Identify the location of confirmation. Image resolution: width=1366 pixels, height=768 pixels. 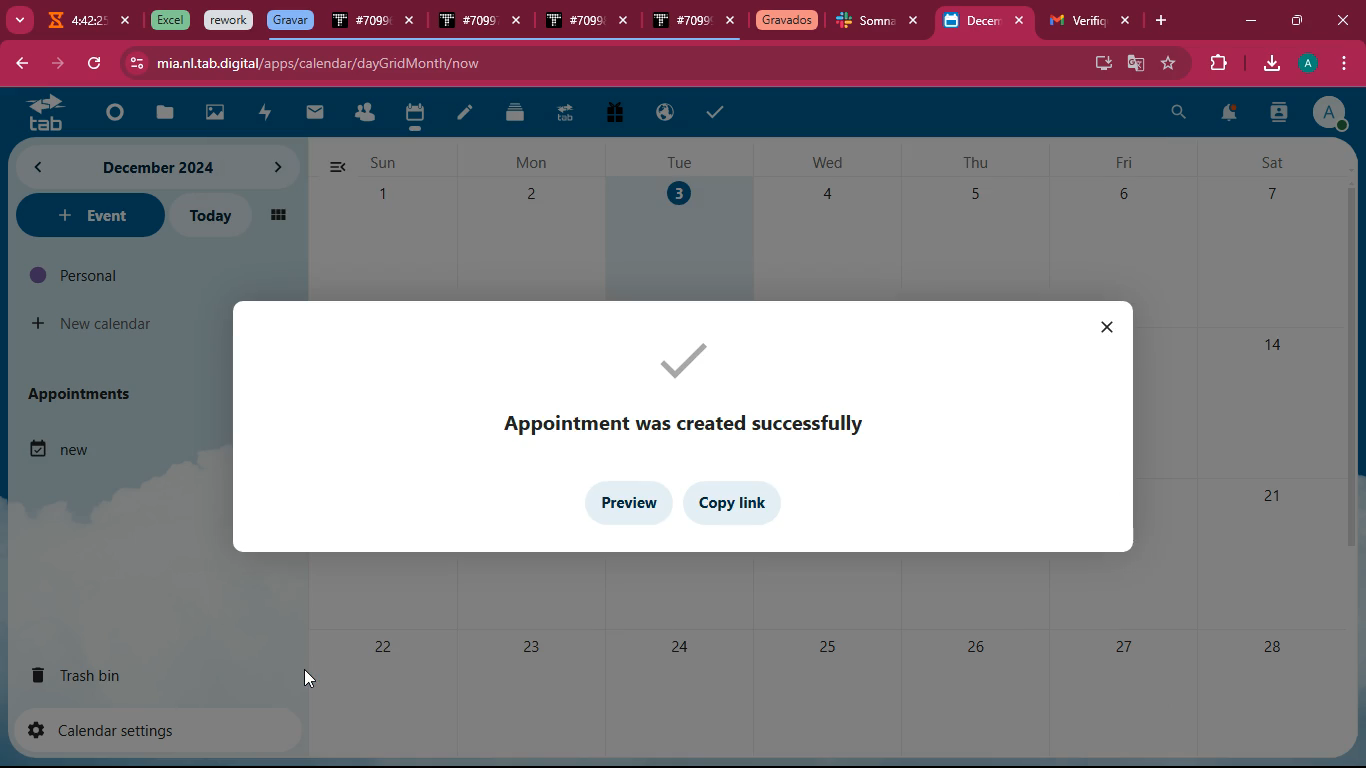
(686, 386).